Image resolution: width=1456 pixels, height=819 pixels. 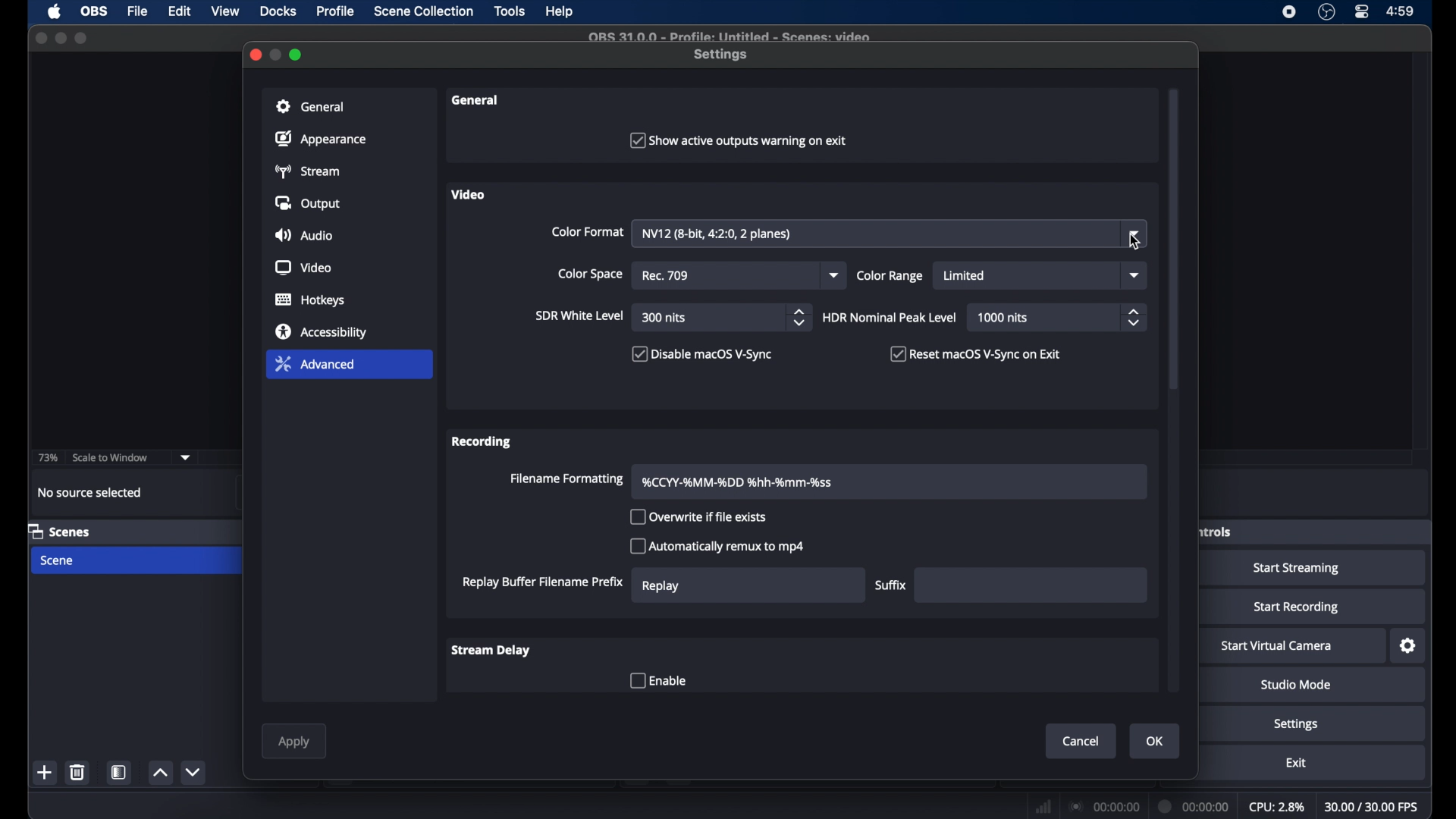 I want to click on network, so click(x=1042, y=805).